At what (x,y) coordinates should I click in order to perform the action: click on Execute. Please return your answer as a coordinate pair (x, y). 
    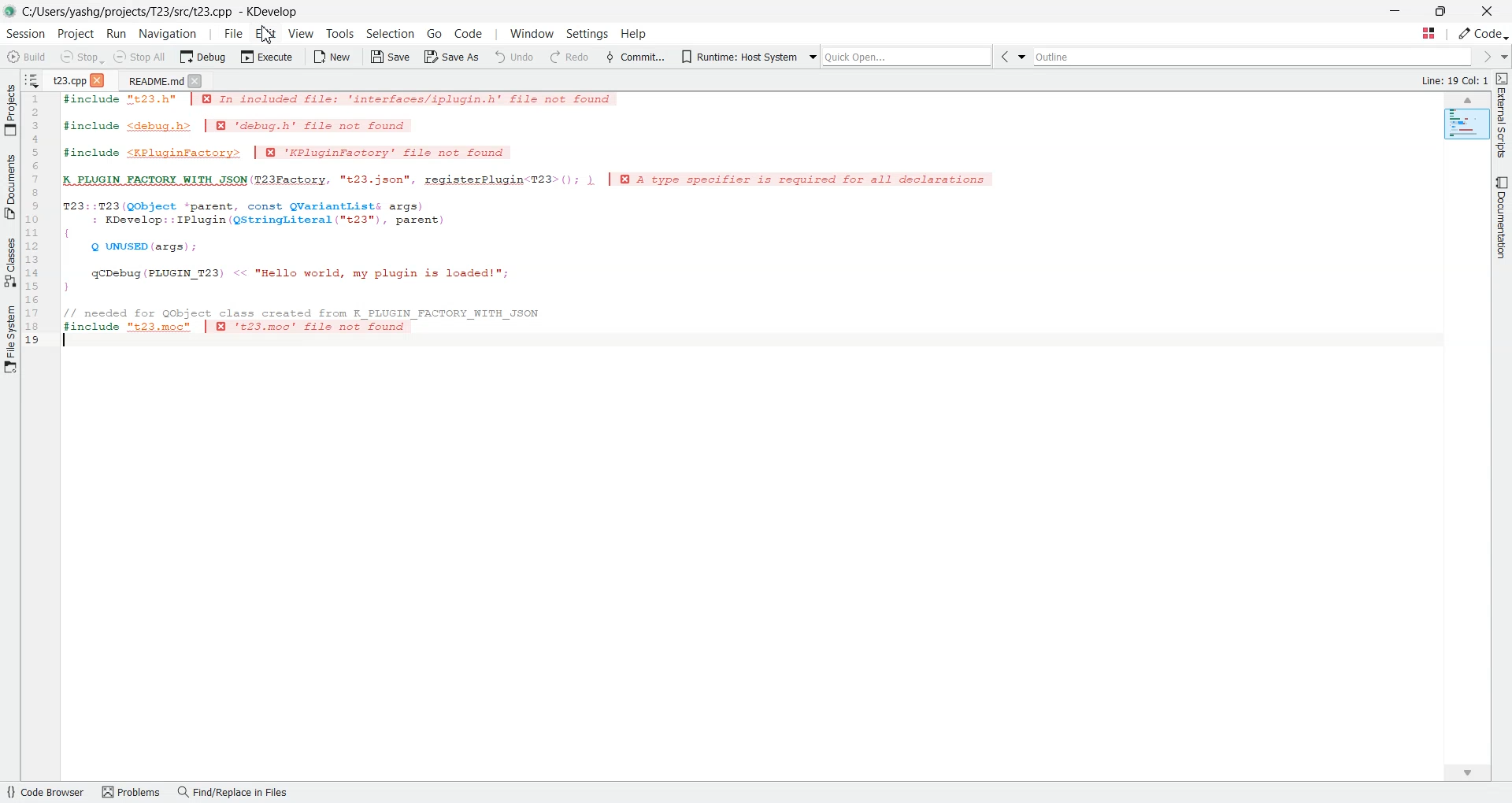
    Looking at the image, I should click on (267, 56).